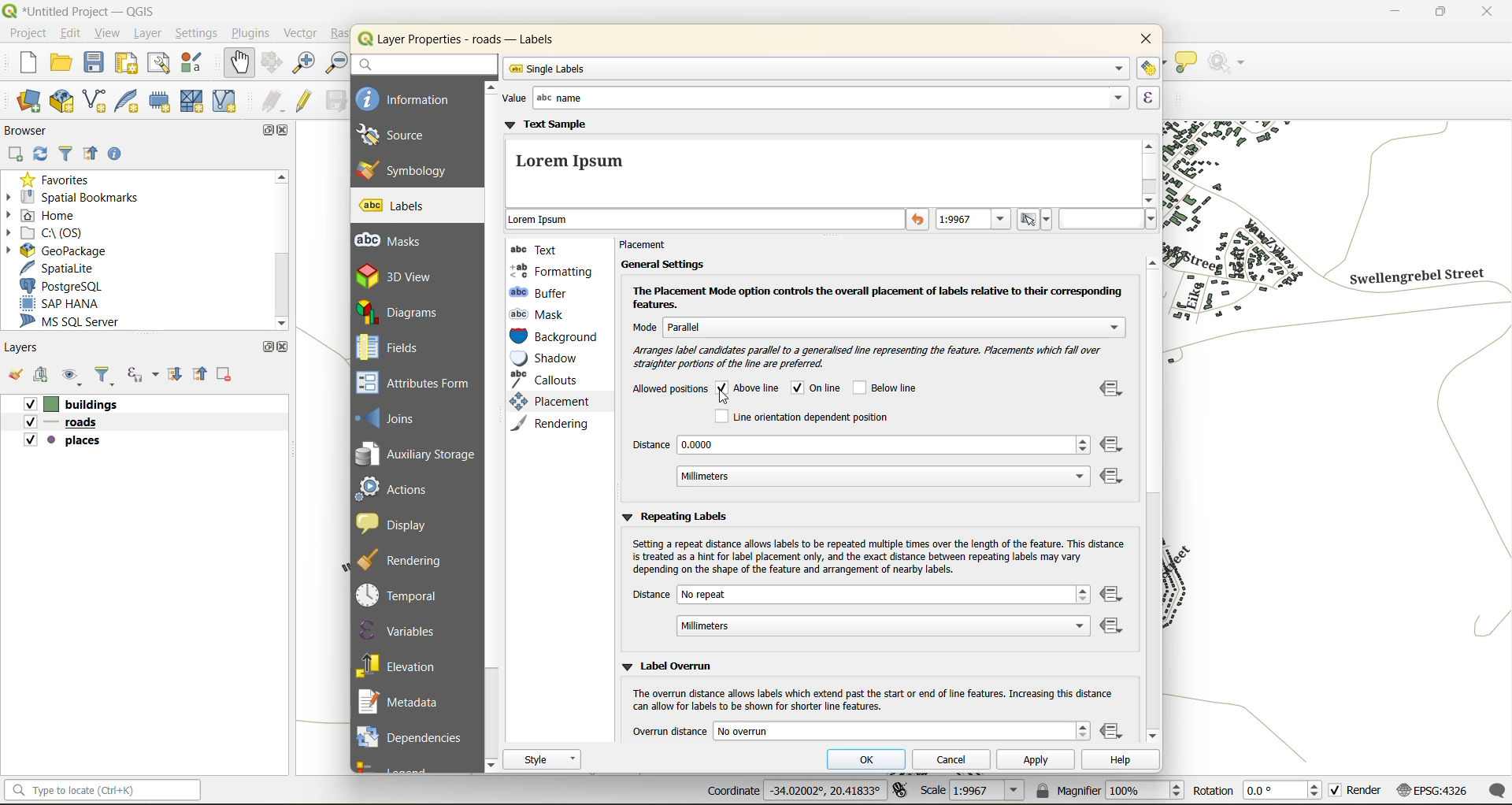 The height and width of the screenshot is (805, 1512). Describe the element at coordinates (405, 703) in the screenshot. I see `metadata` at that location.